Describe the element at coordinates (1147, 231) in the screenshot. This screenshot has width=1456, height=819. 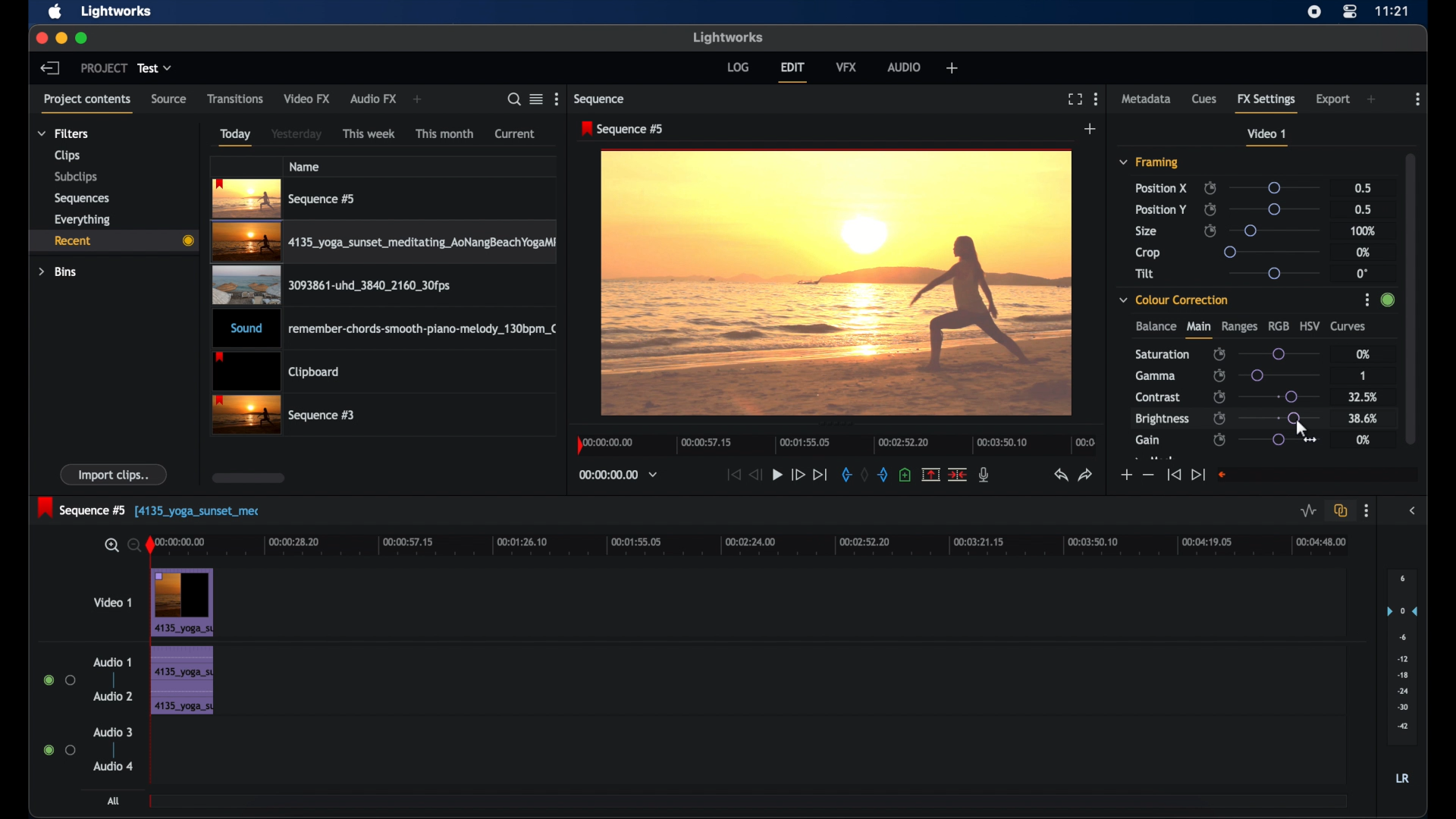
I see `size` at that location.